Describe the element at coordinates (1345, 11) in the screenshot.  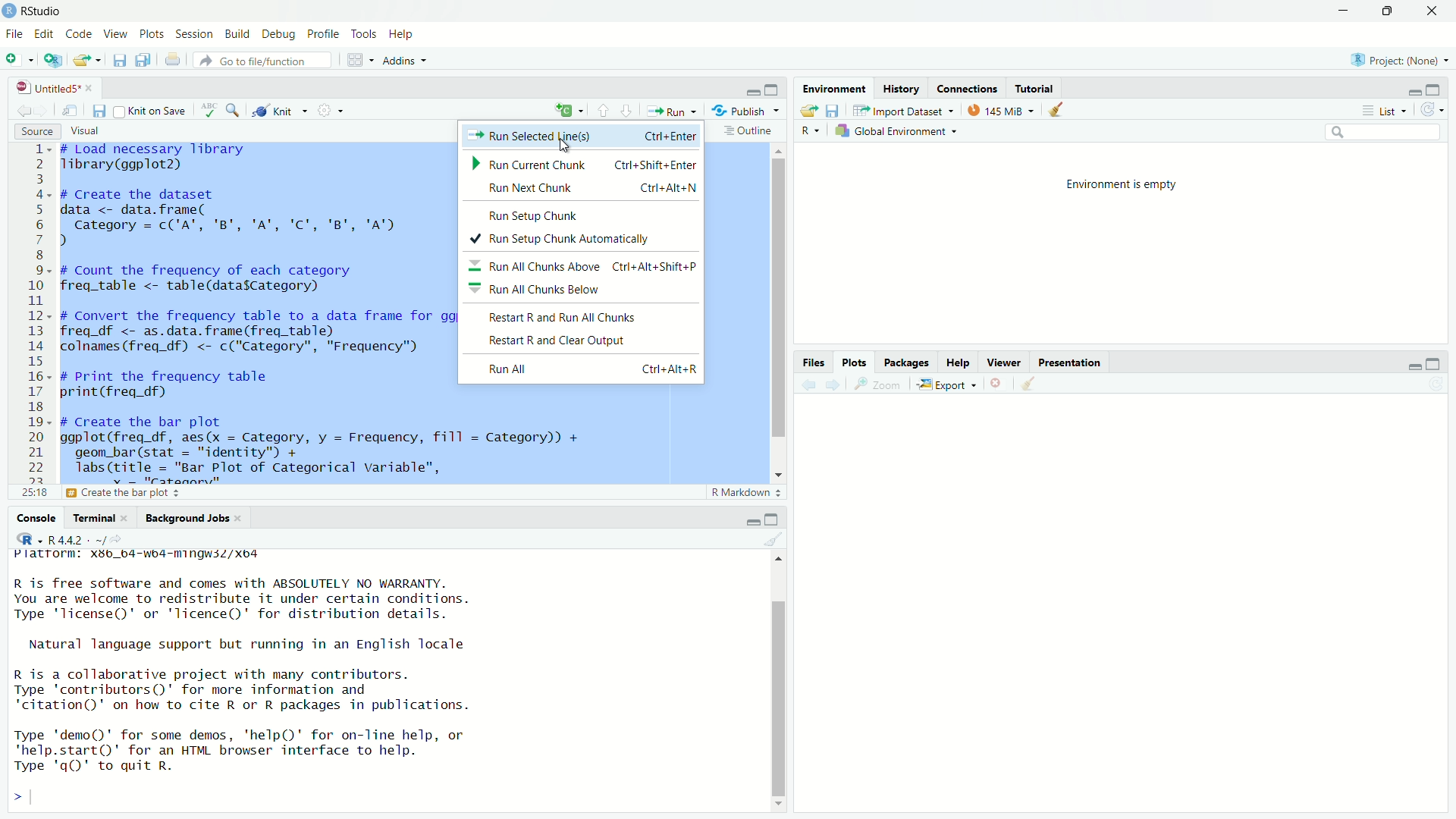
I see `minimize` at that location.